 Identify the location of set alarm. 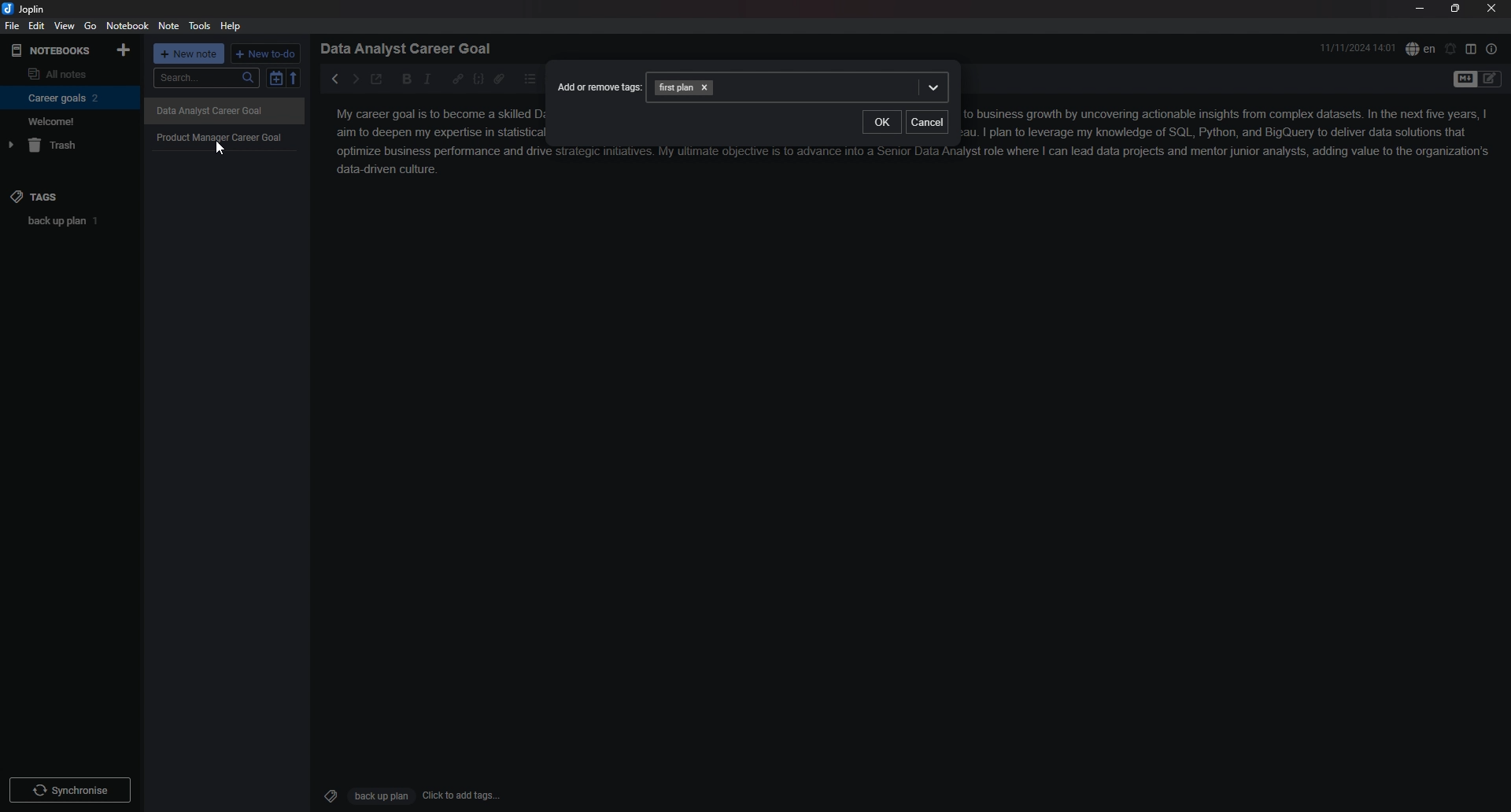
(1451, 49).